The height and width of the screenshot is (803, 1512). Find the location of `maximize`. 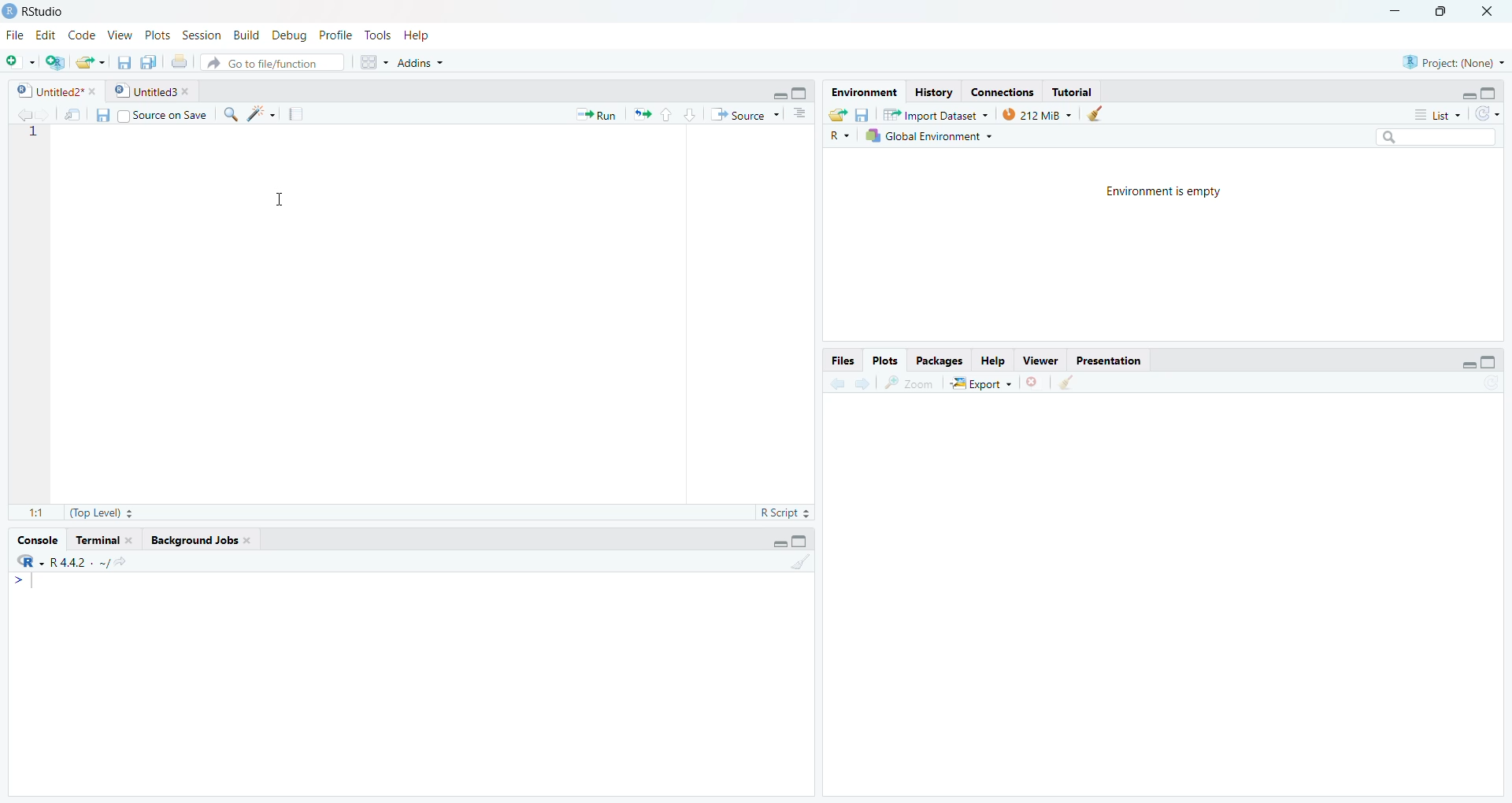

maximize is located at coordinates (1495, 94).